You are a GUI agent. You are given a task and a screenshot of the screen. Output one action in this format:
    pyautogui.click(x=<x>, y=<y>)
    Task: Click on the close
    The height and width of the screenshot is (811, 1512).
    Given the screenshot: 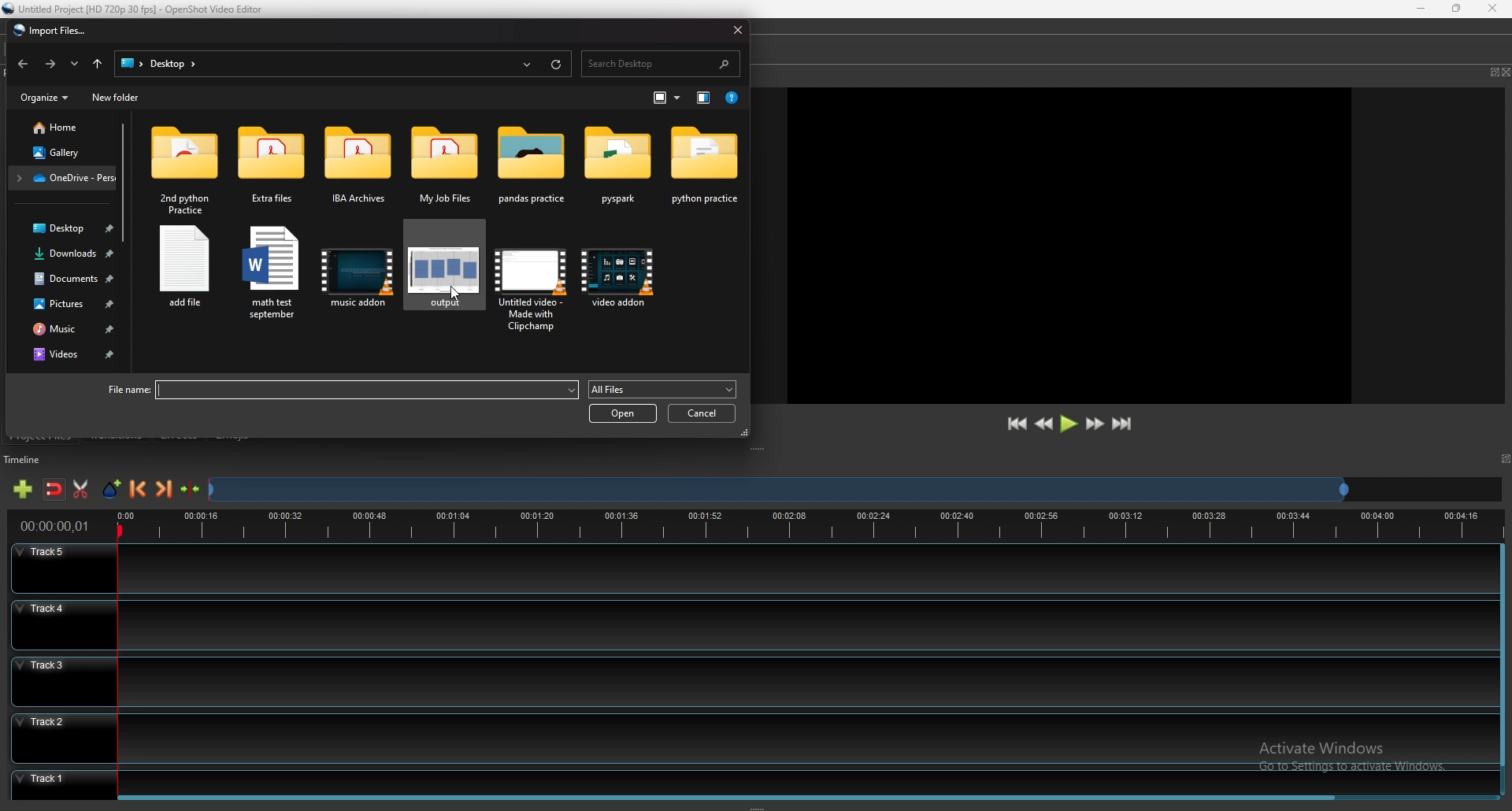 What is the action you would take?
    pyautogui.click(x=1506, y=72)
    